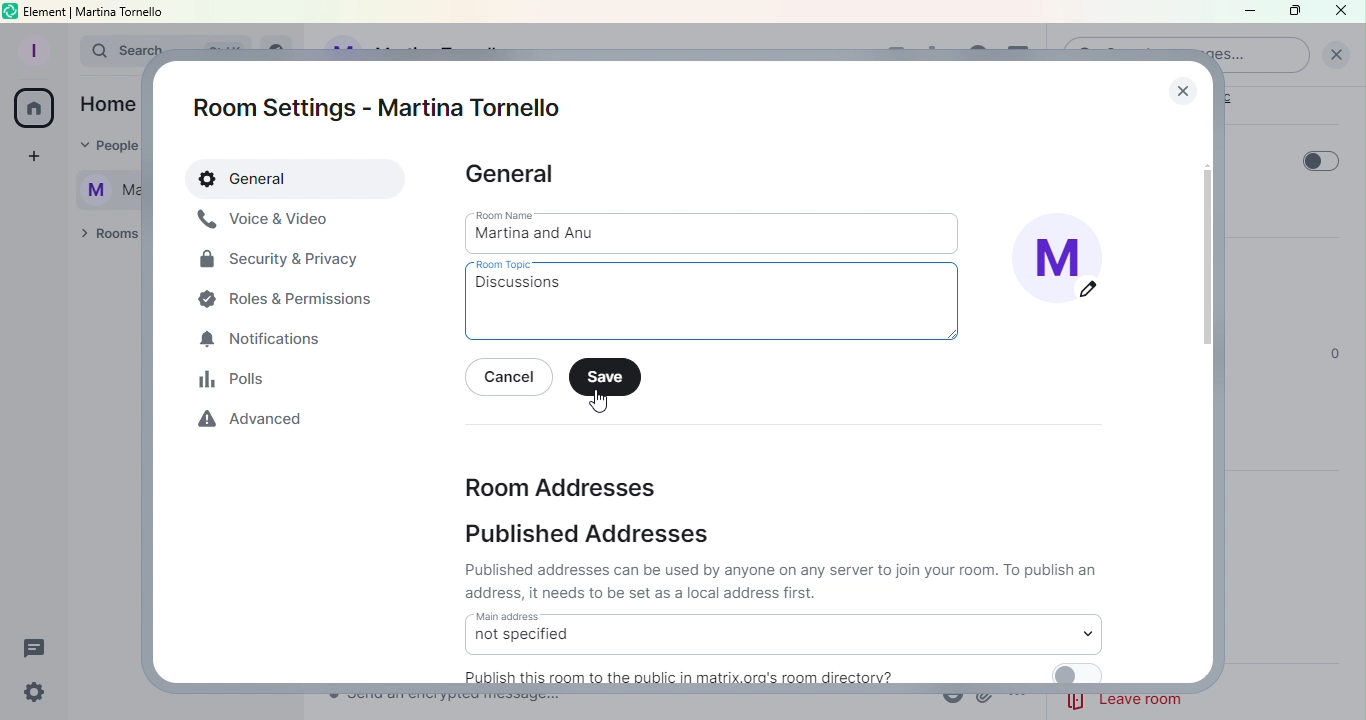 This screenshot has width=1366, height=720. Describe the element at coordinates (280, 263) in the screenshot. I see `Security and Privacy` at that location.